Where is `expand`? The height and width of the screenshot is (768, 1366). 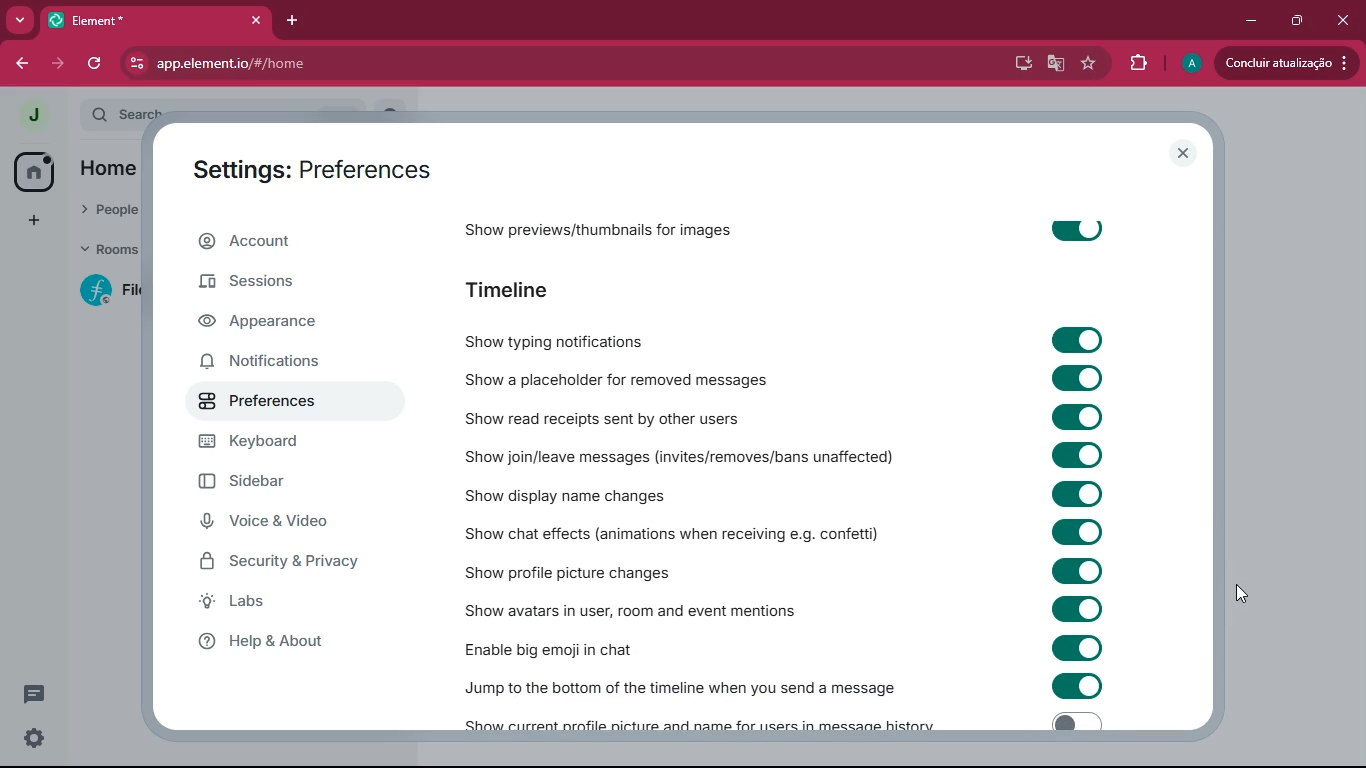
expand is located at coordinates (67, 116).